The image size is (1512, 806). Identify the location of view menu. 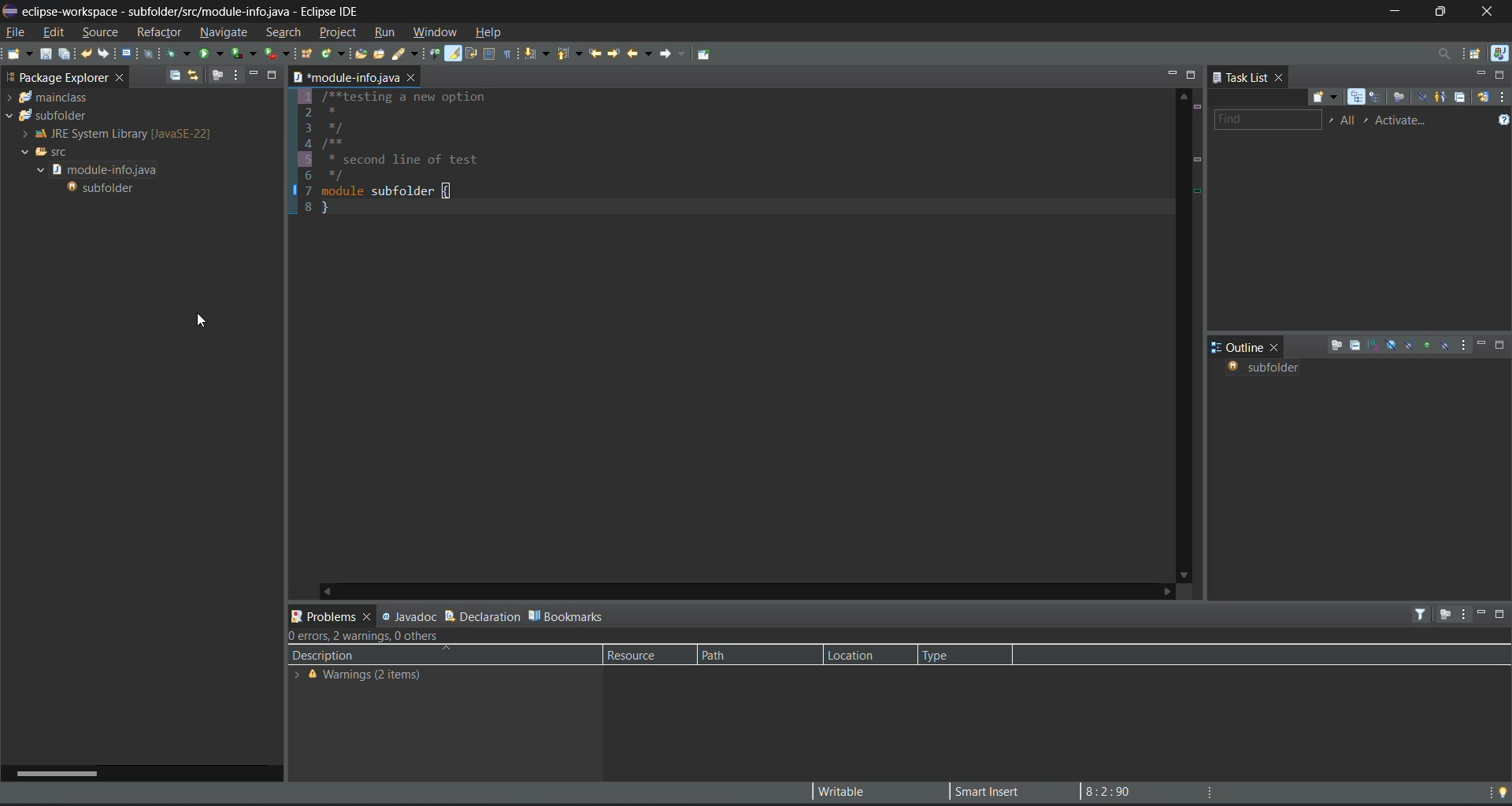
(1503, 96).